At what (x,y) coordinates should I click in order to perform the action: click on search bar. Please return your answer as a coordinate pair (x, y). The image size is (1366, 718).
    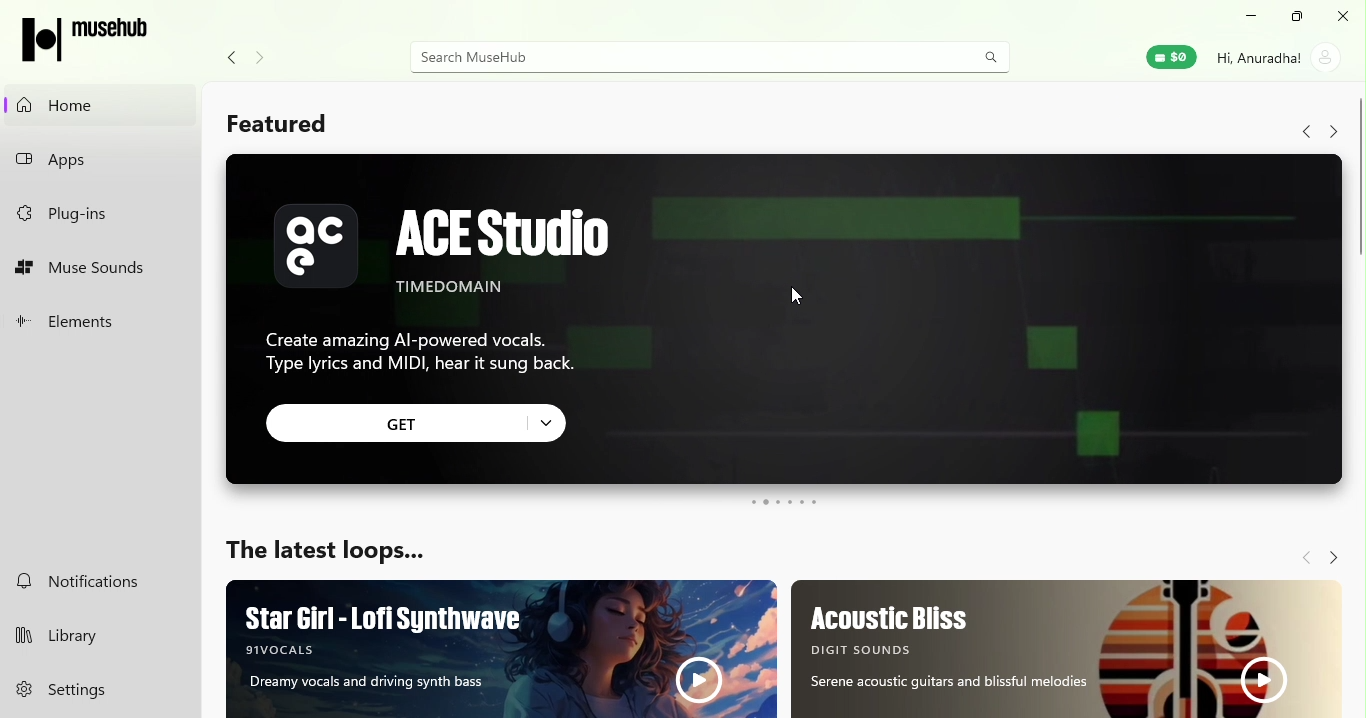
    Looking at the image, I should click on (682, 56).